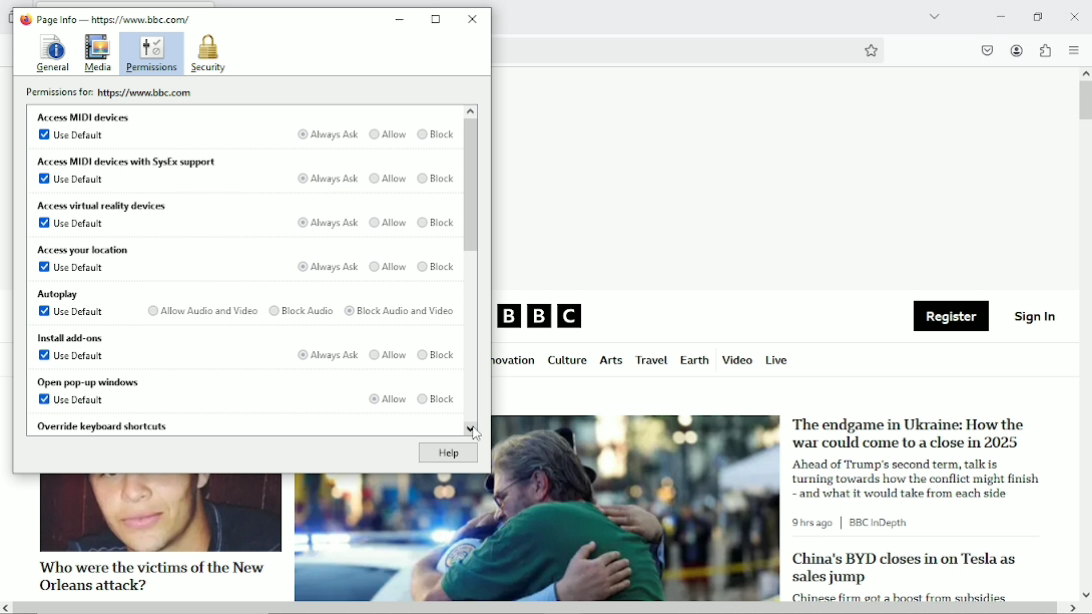 The width and height of the screenshot is (1092, 614). I want to click on Block audio and video, so click(401, 311).